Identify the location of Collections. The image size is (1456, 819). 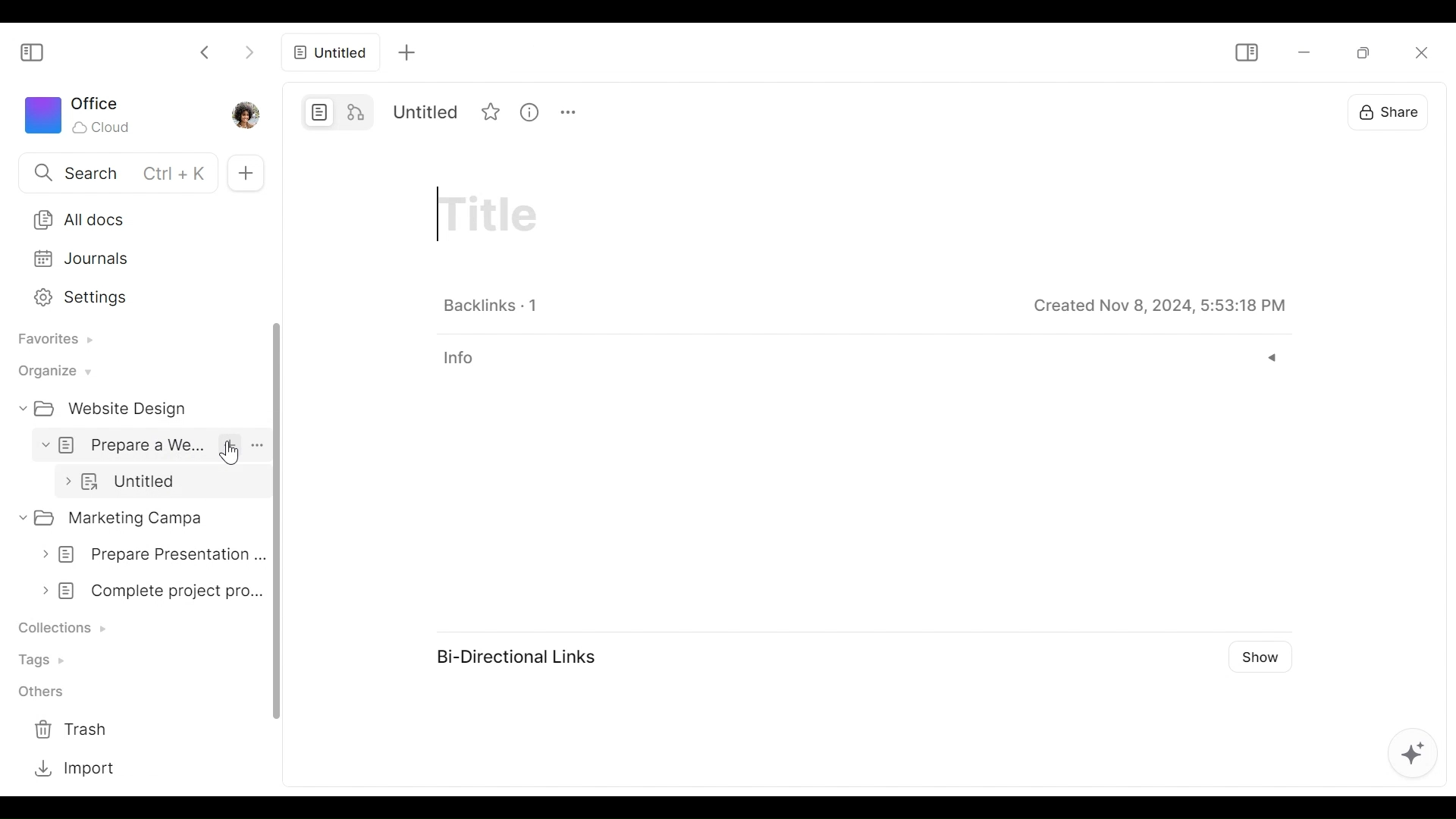
(66, 629).